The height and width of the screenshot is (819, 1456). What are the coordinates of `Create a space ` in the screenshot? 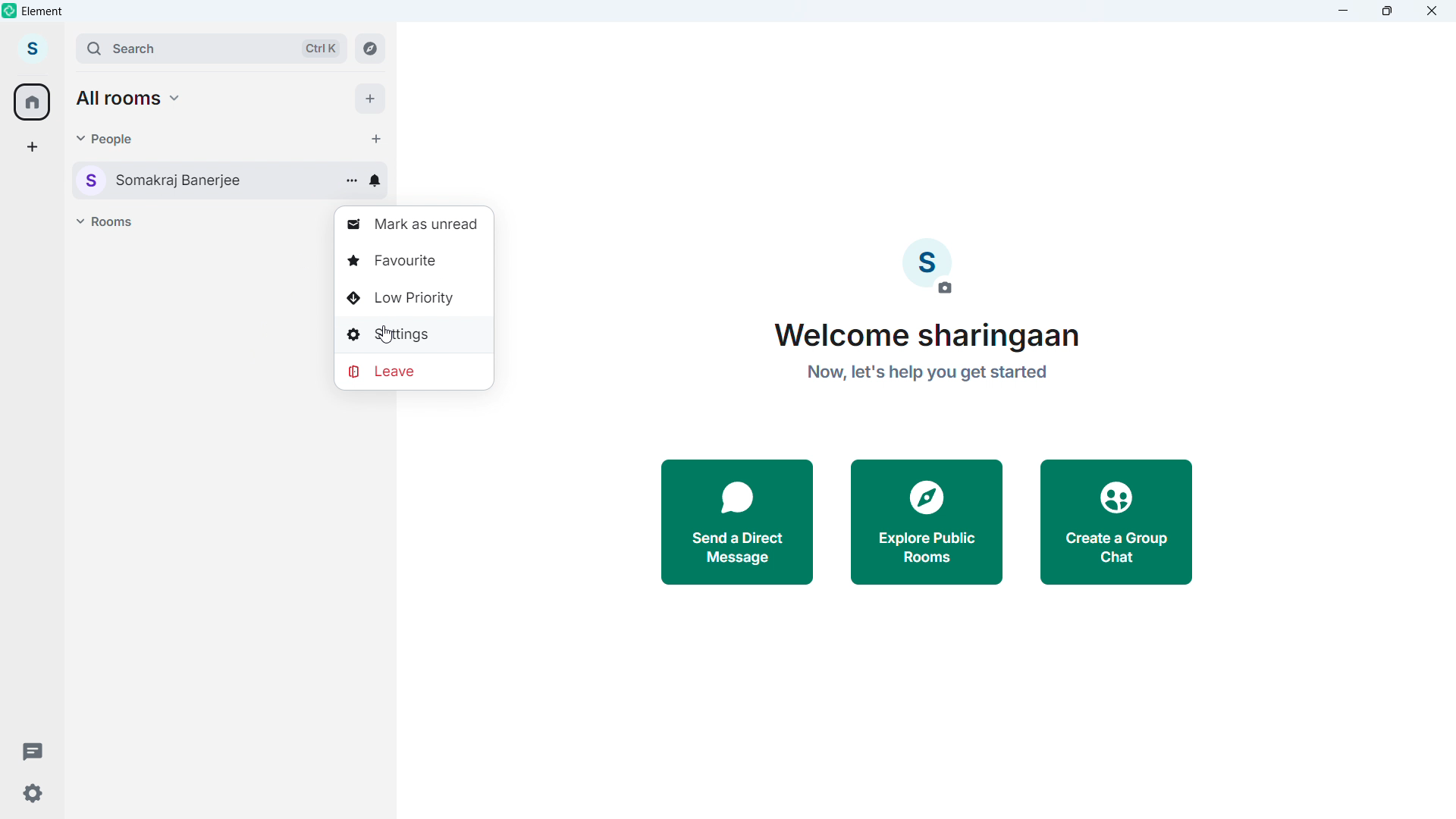 It's located at (31, 147).